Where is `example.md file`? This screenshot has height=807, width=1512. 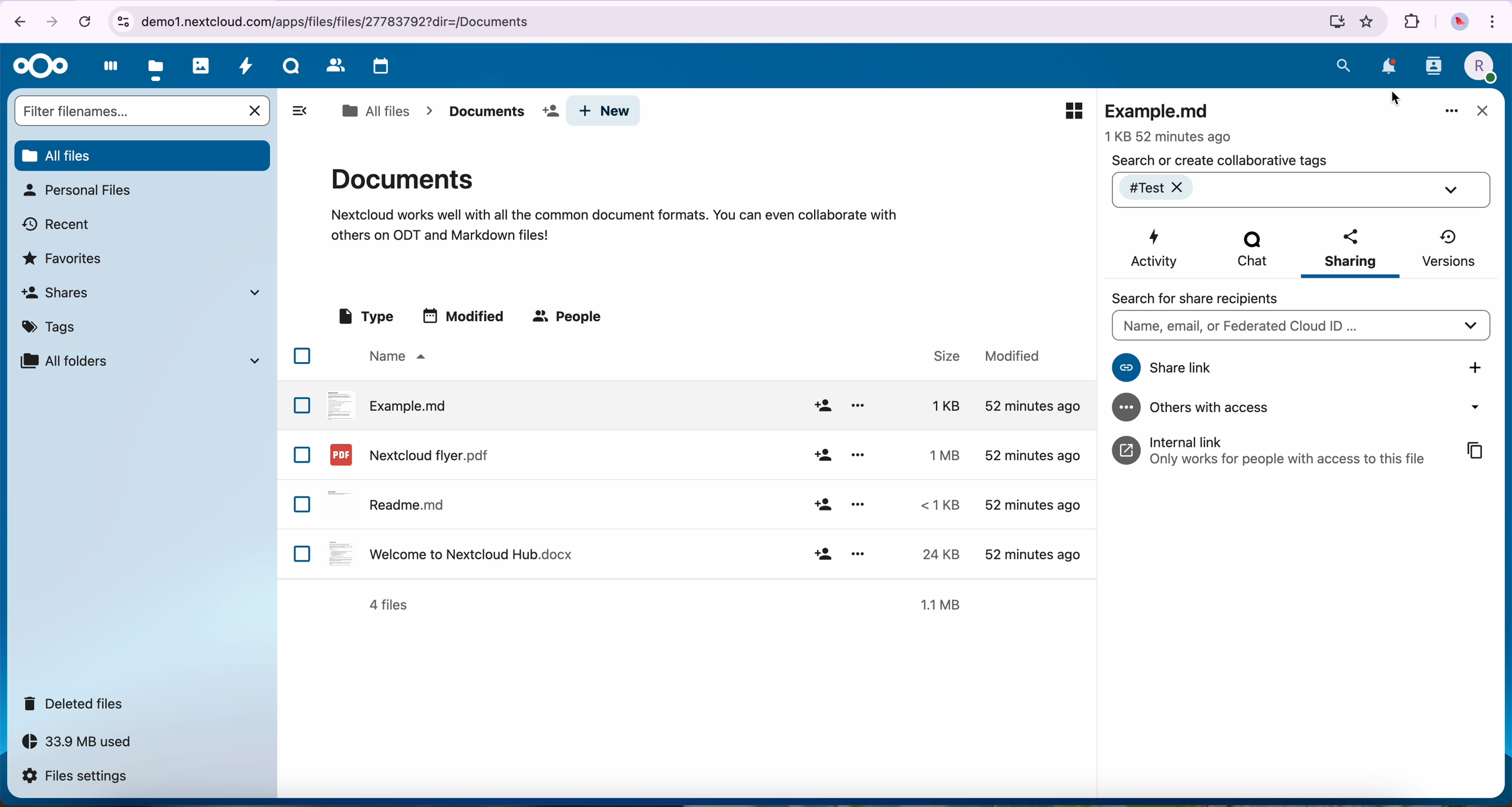
example.md file is located at coordinates (1171, 120).